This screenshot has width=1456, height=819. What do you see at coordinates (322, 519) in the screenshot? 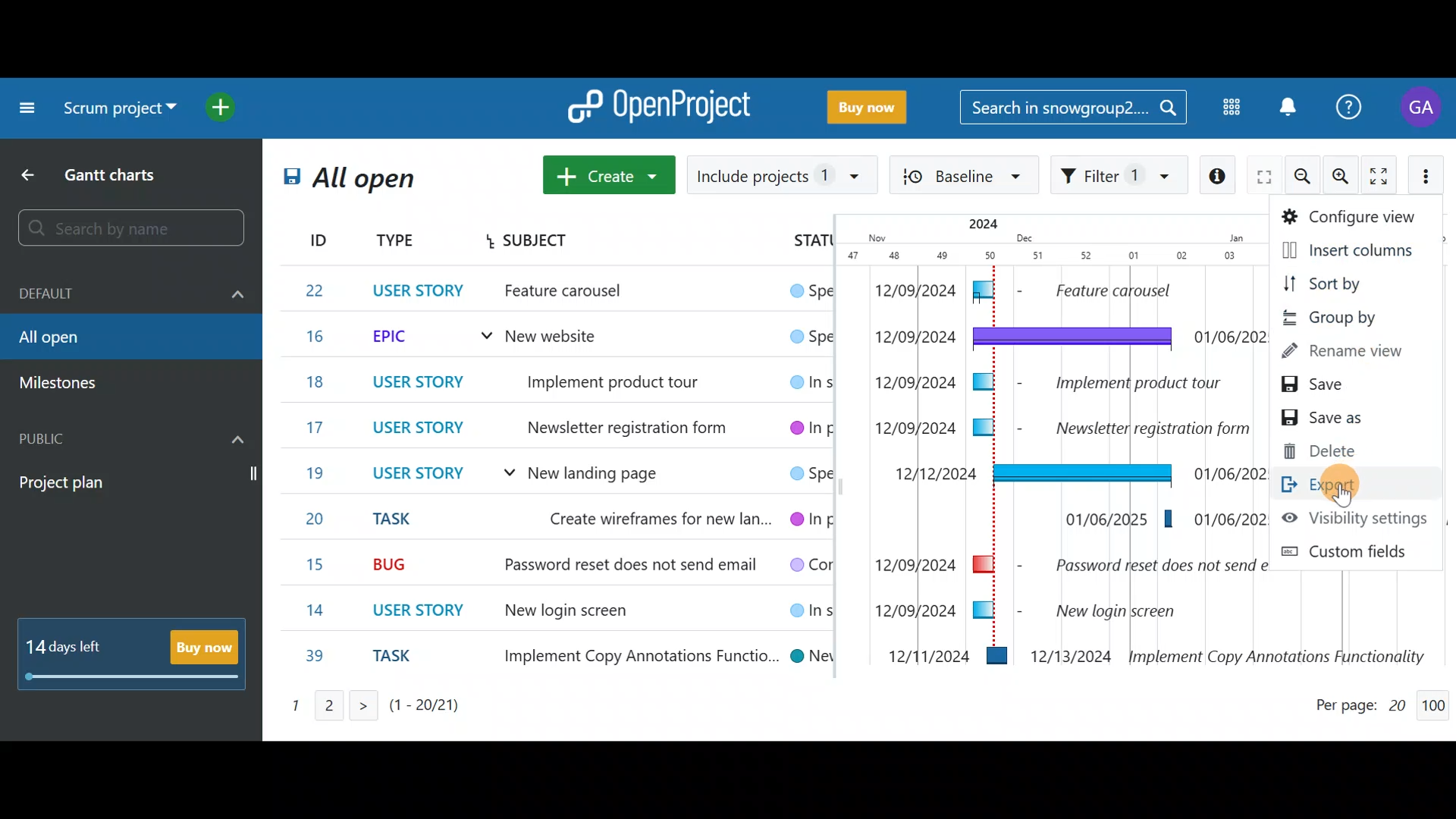
I see `20` at bounding box center [322, 519].